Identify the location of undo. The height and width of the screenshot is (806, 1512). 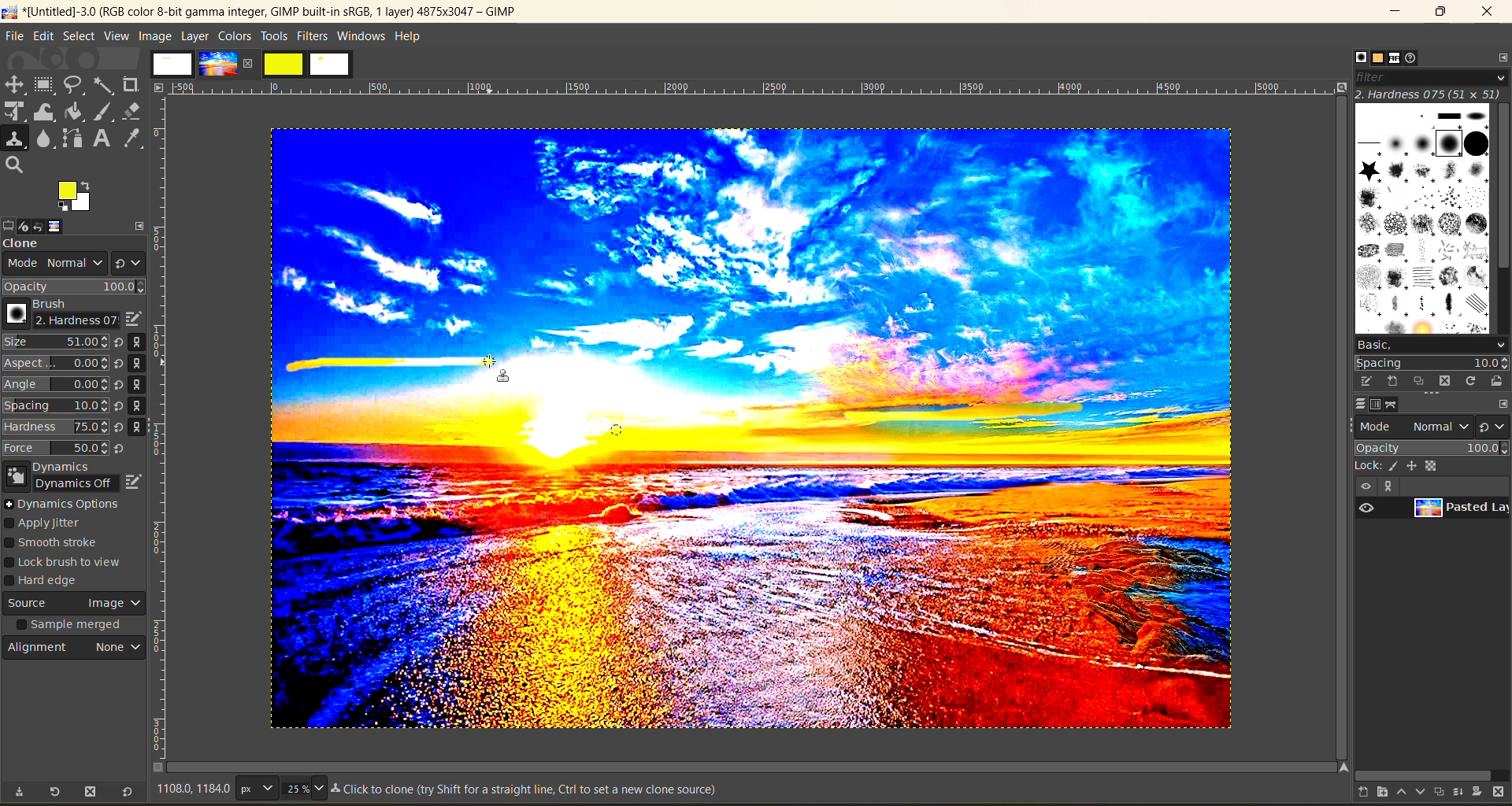
(48, 225).